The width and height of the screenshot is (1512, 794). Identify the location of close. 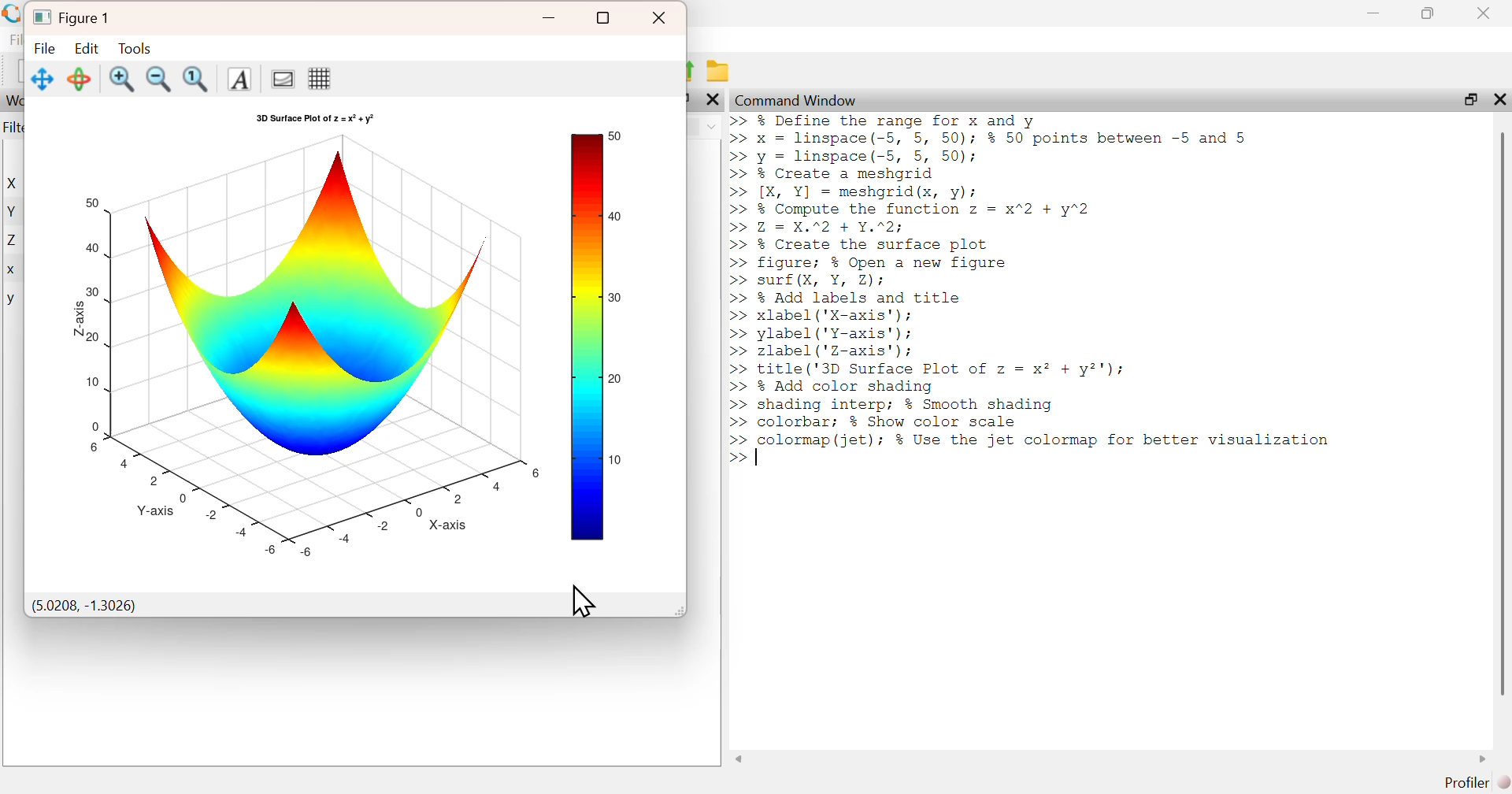
(1498, 98).